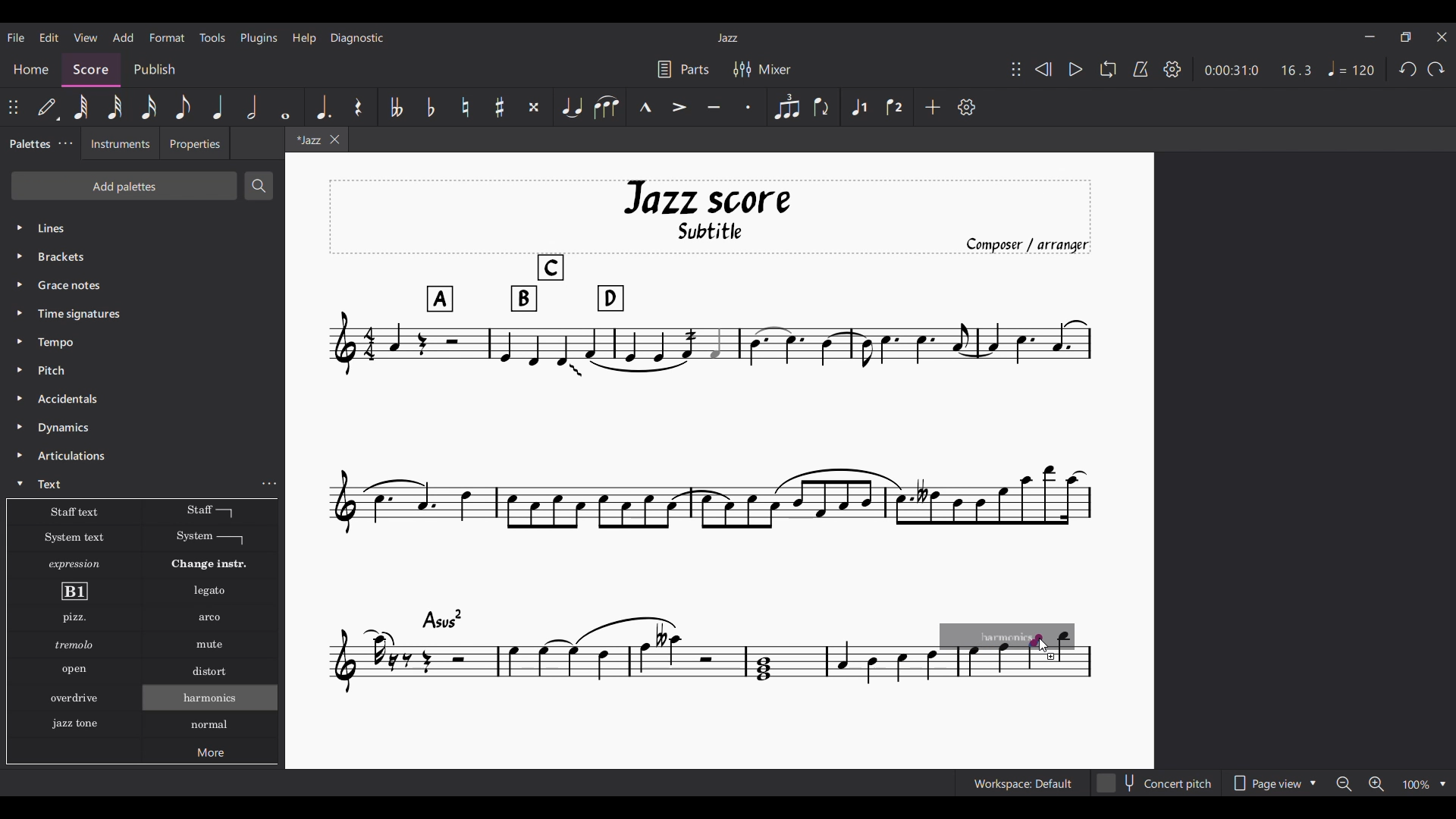 The height and width of the screenshot is (819, 1456). What do you see at coordinates (1051, 657) in the screenshot?
I see `Indicates addition` at bounding box center [1051, 657].